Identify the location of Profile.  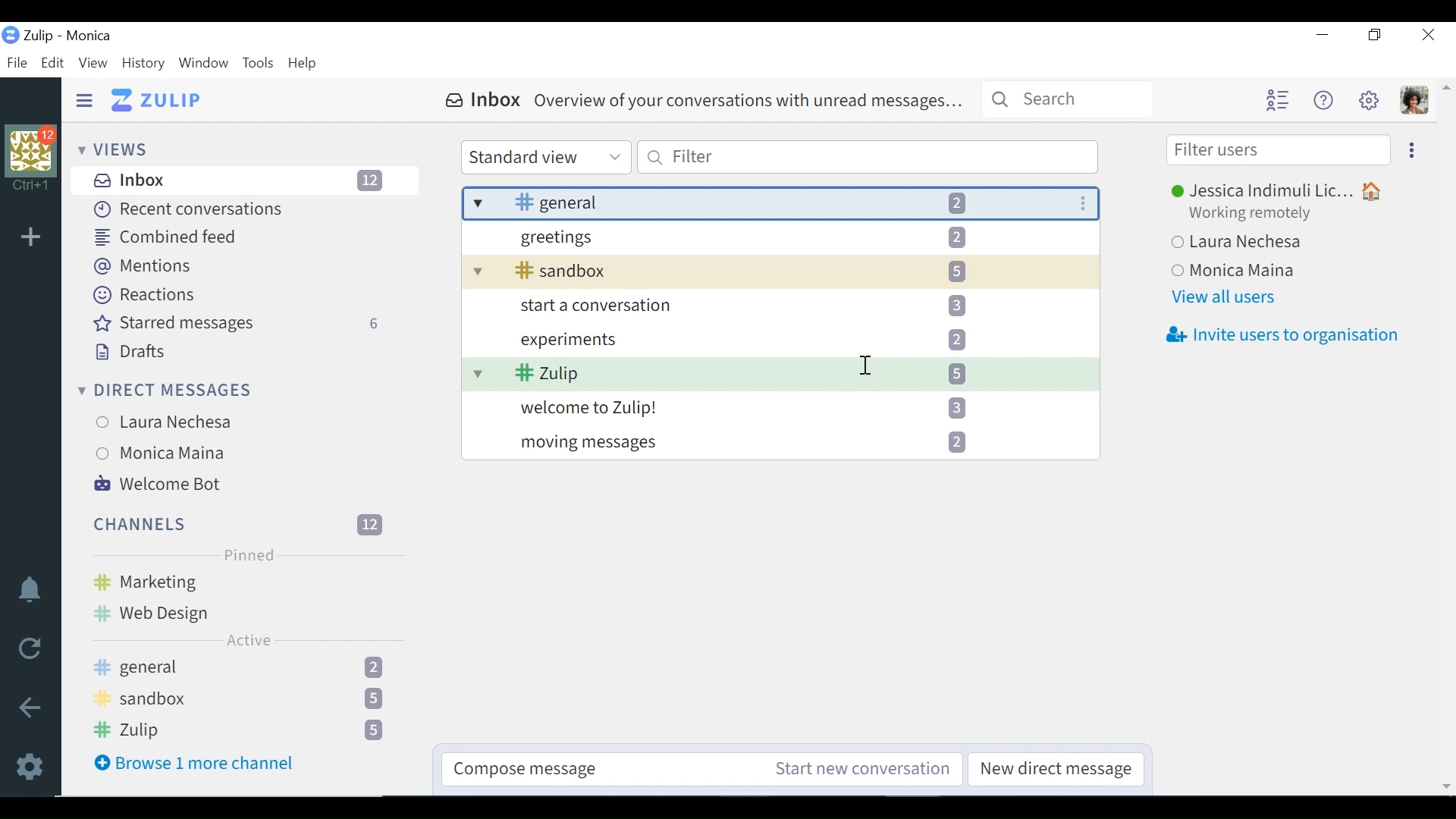
(31, 163).